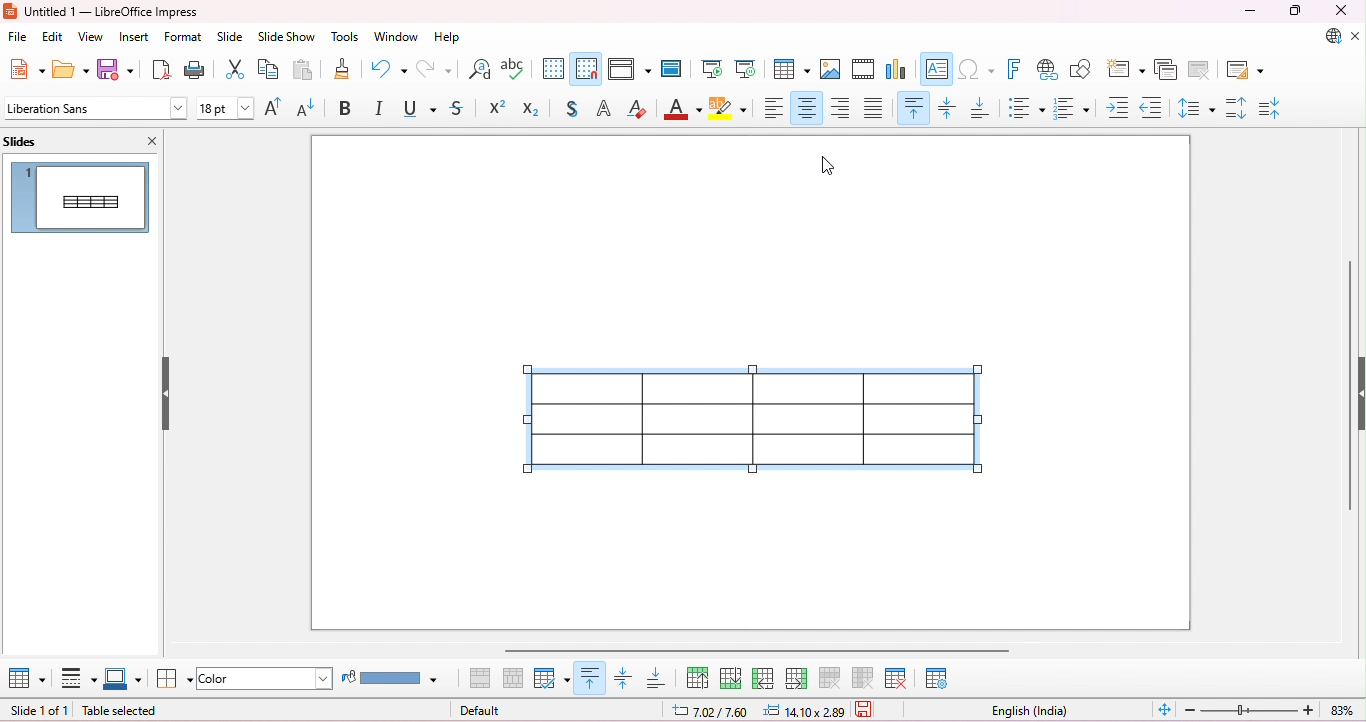  I want to click on decrement size, so click(307, 108).